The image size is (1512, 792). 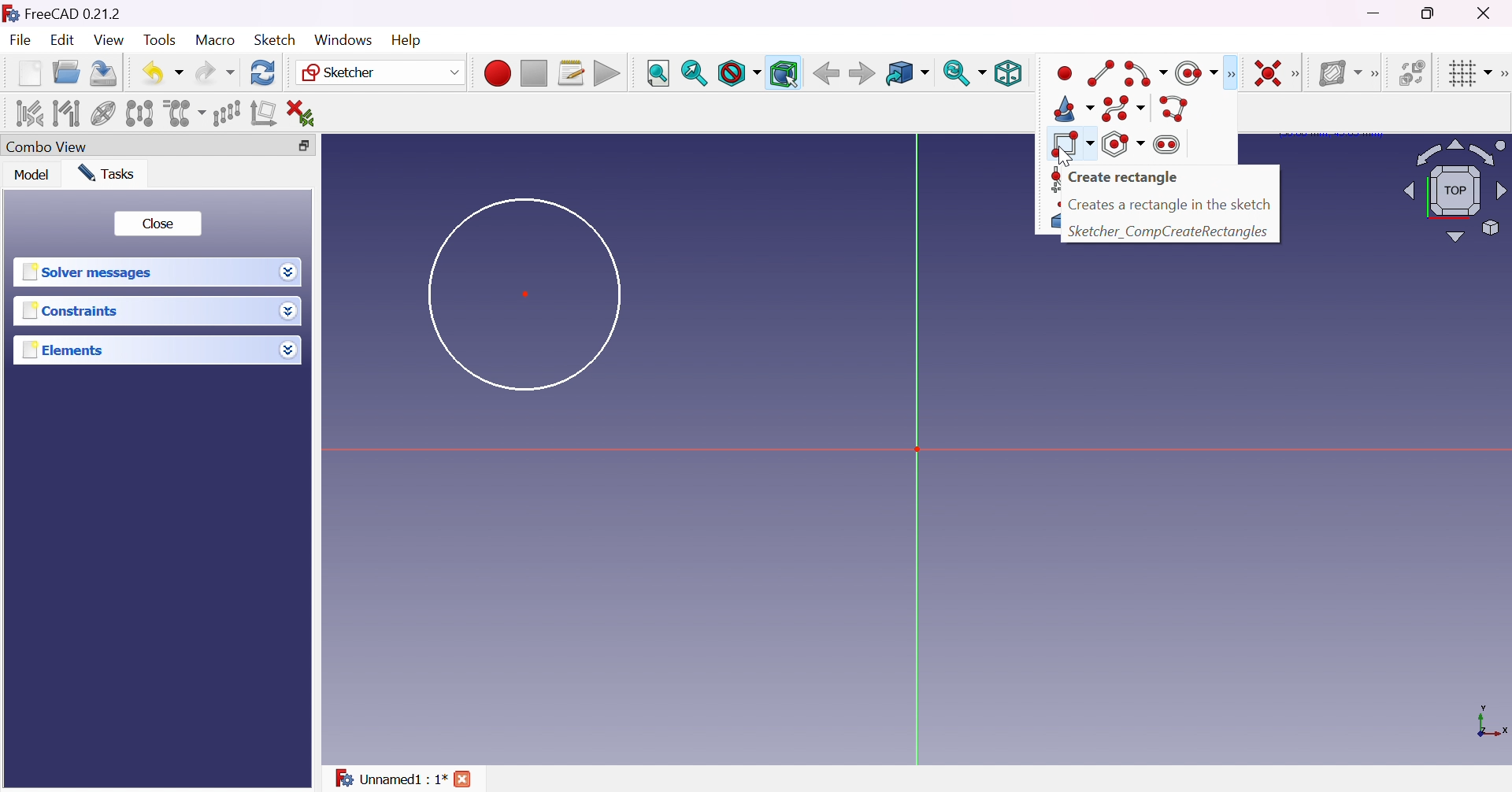 What do you see at coordinates (30, 72) in the screenshot?
I see `New` at bounding box center [30, 72].